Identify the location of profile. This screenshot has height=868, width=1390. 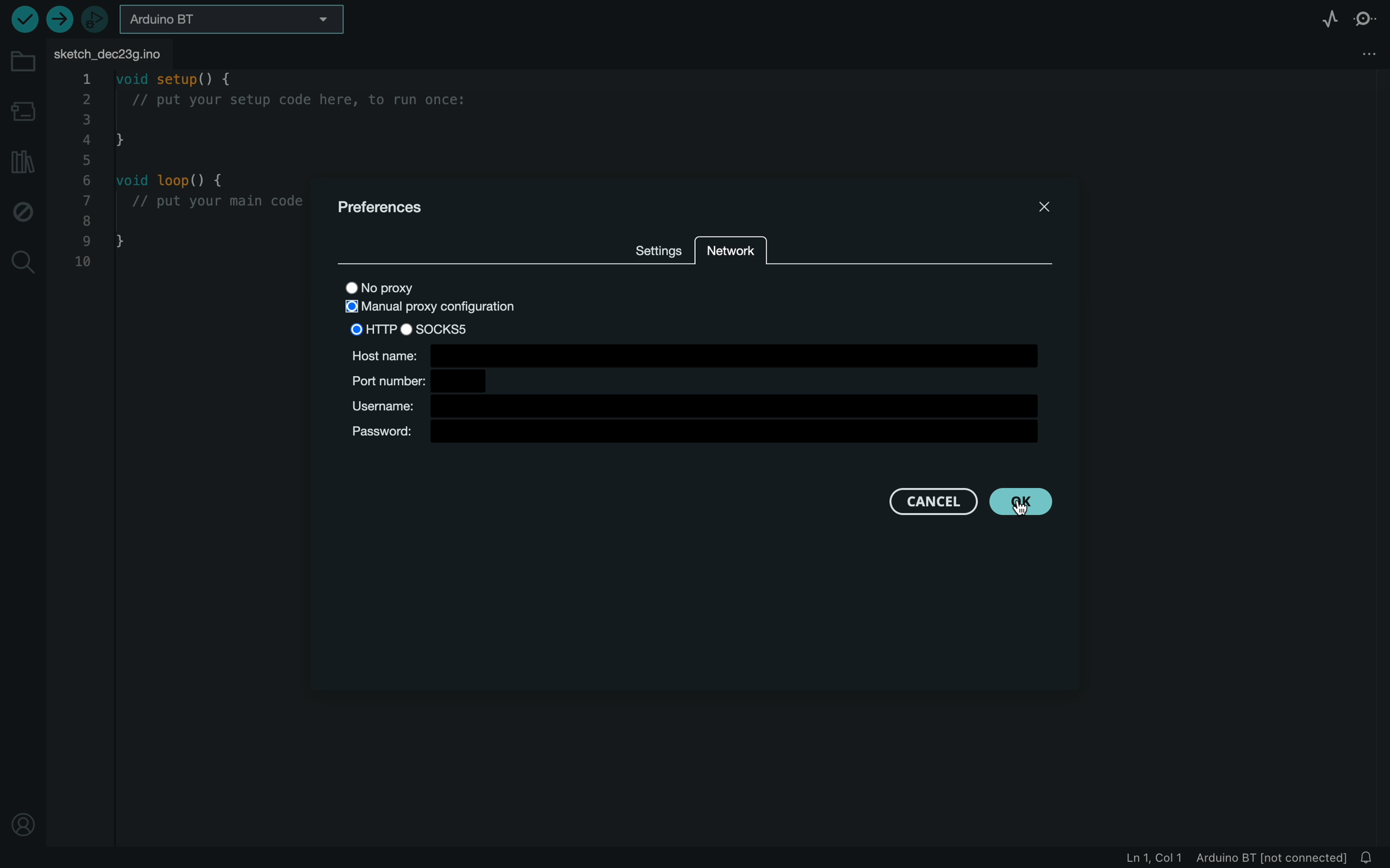
(25, 820).